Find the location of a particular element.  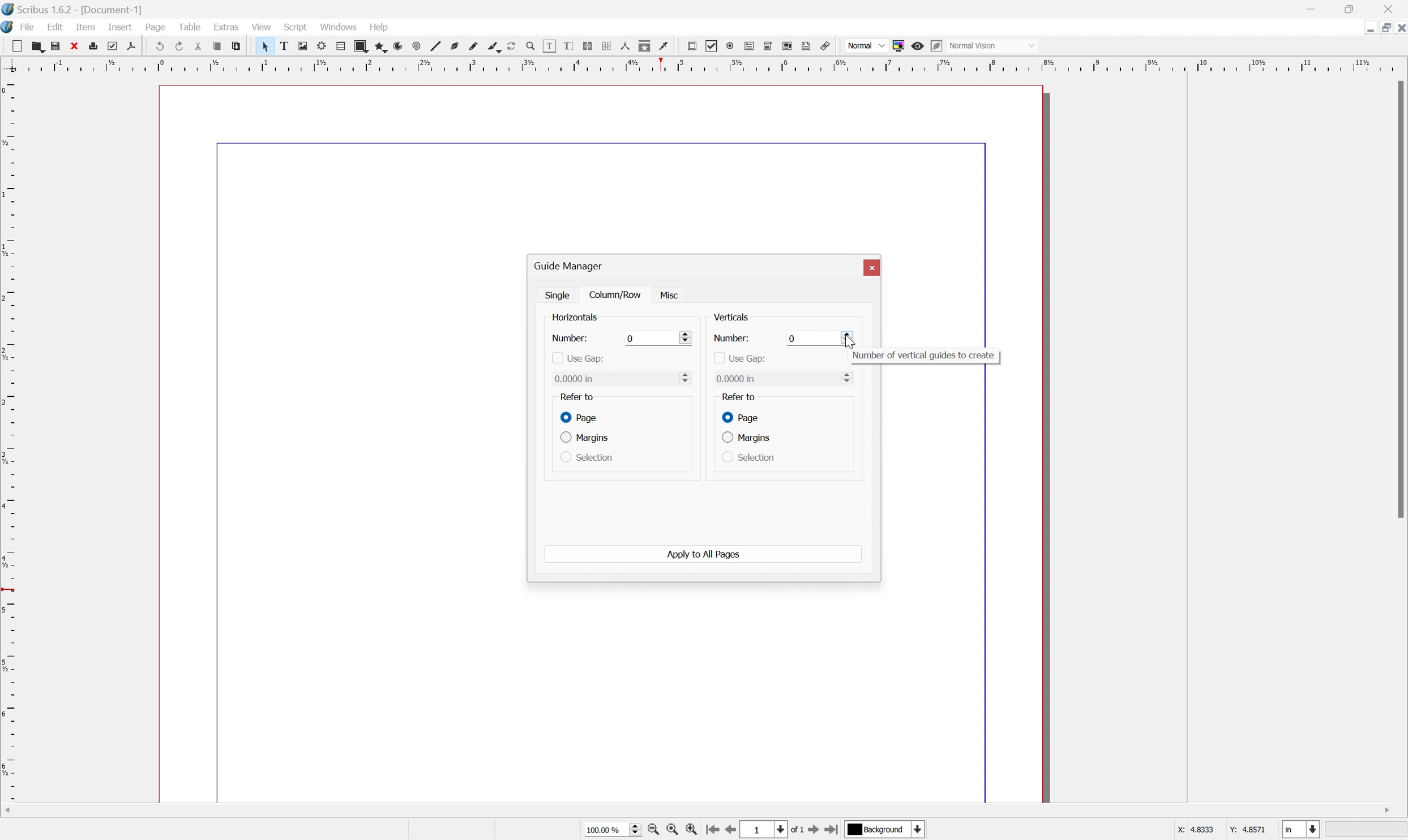

copy item properties is located at coordinates (645, 46).